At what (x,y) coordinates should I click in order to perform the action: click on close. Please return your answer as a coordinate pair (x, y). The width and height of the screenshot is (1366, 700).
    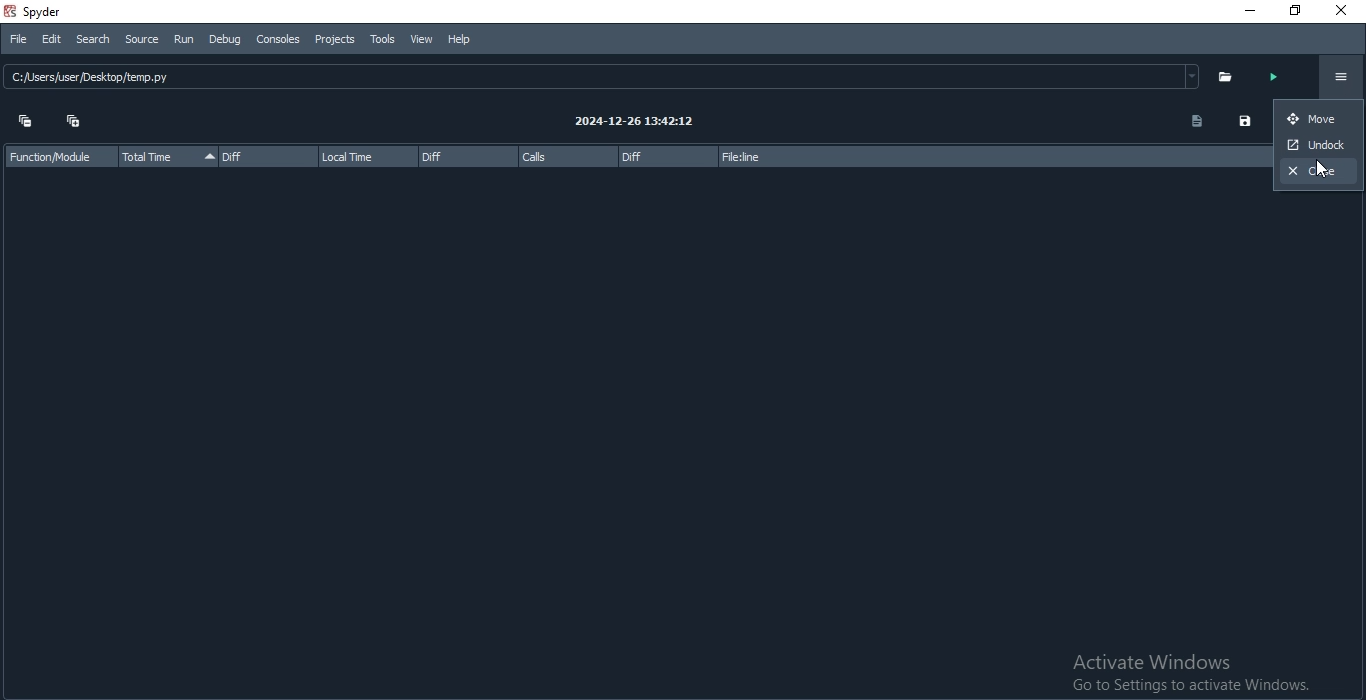
    Looking at the image, I should click on (1319, 173).